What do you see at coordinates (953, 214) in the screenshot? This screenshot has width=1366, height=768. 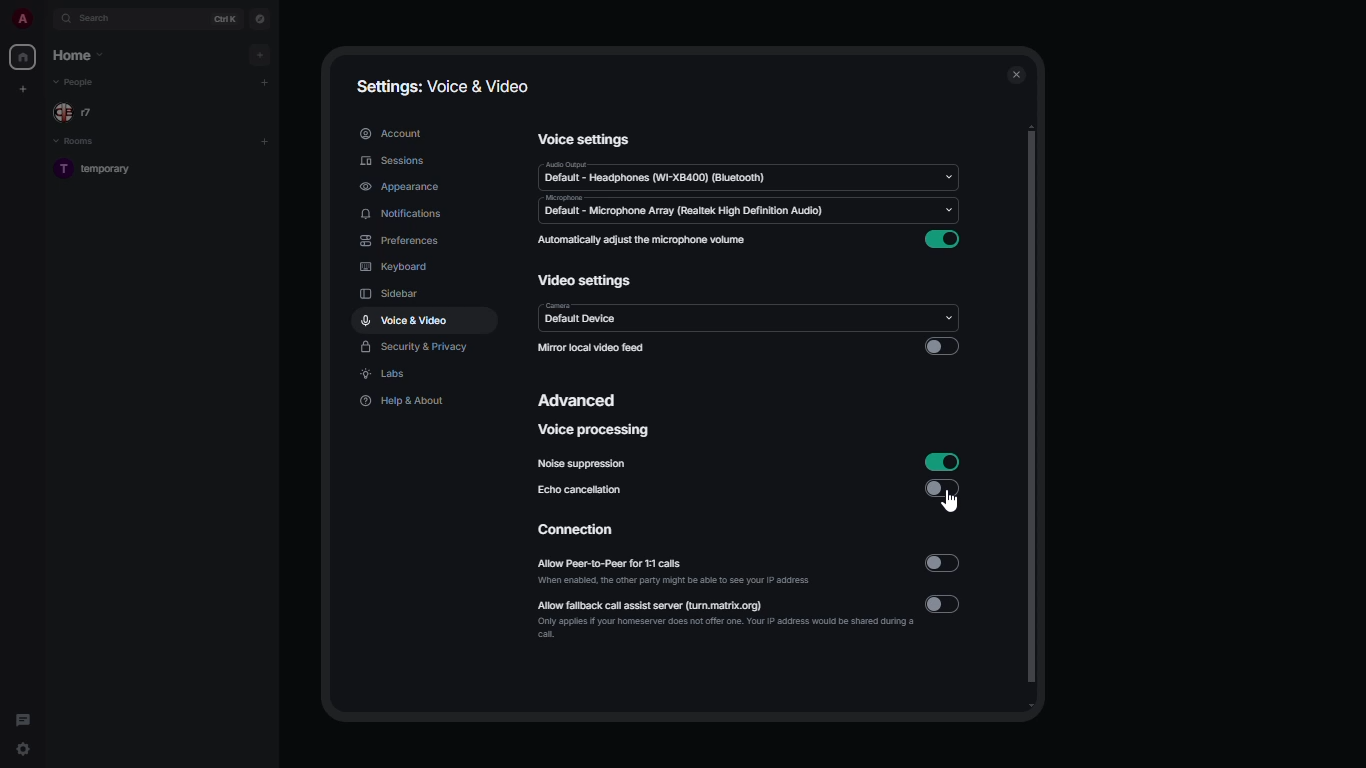 I see `drop down` at bounding box center [953, 214].